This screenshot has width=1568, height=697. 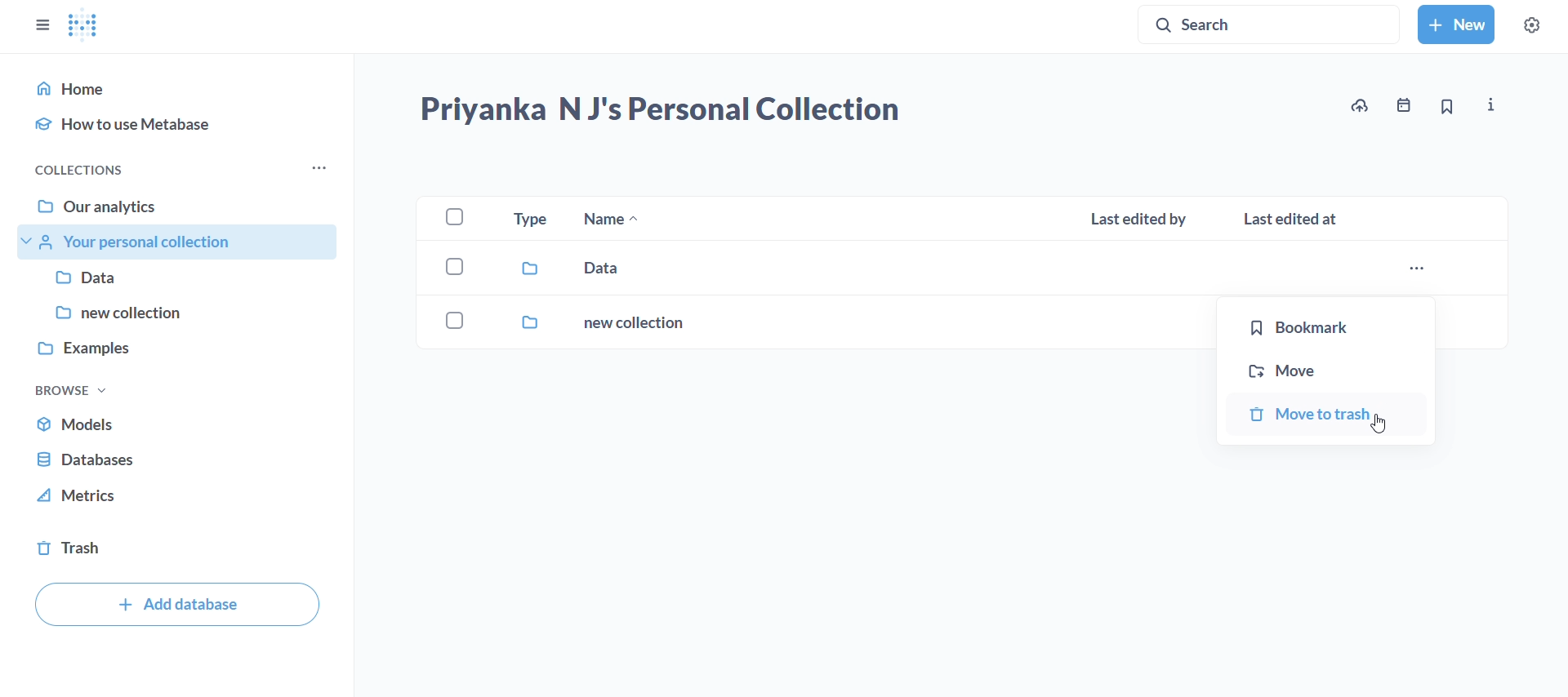 I want to click on how to use metabase, so click(x=179, y=126).